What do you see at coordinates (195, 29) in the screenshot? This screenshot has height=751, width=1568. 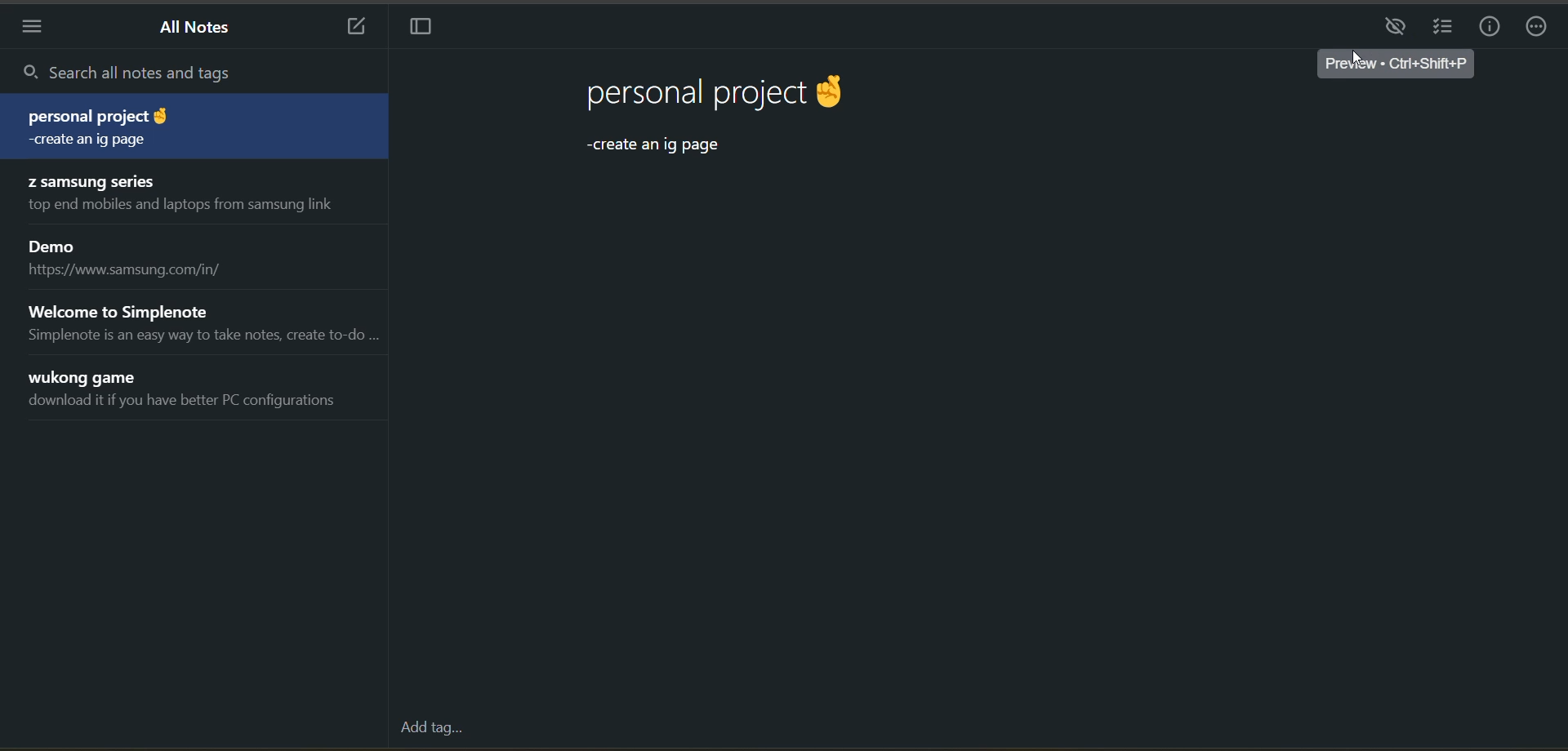 I see `all notes` at bounding box center [195, 29].